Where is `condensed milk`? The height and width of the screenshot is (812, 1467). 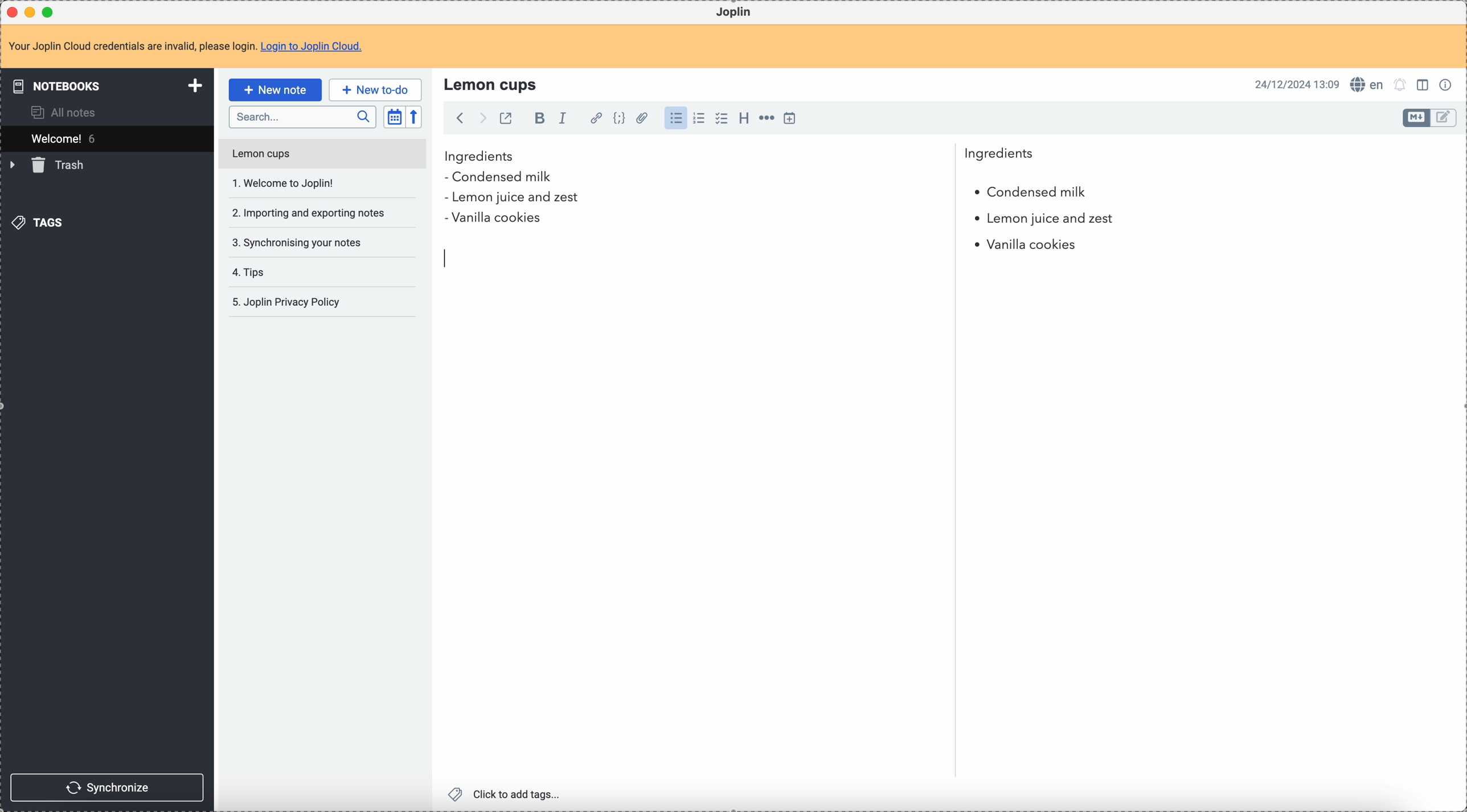
condensed milk is located at coordinates (1029, 192).